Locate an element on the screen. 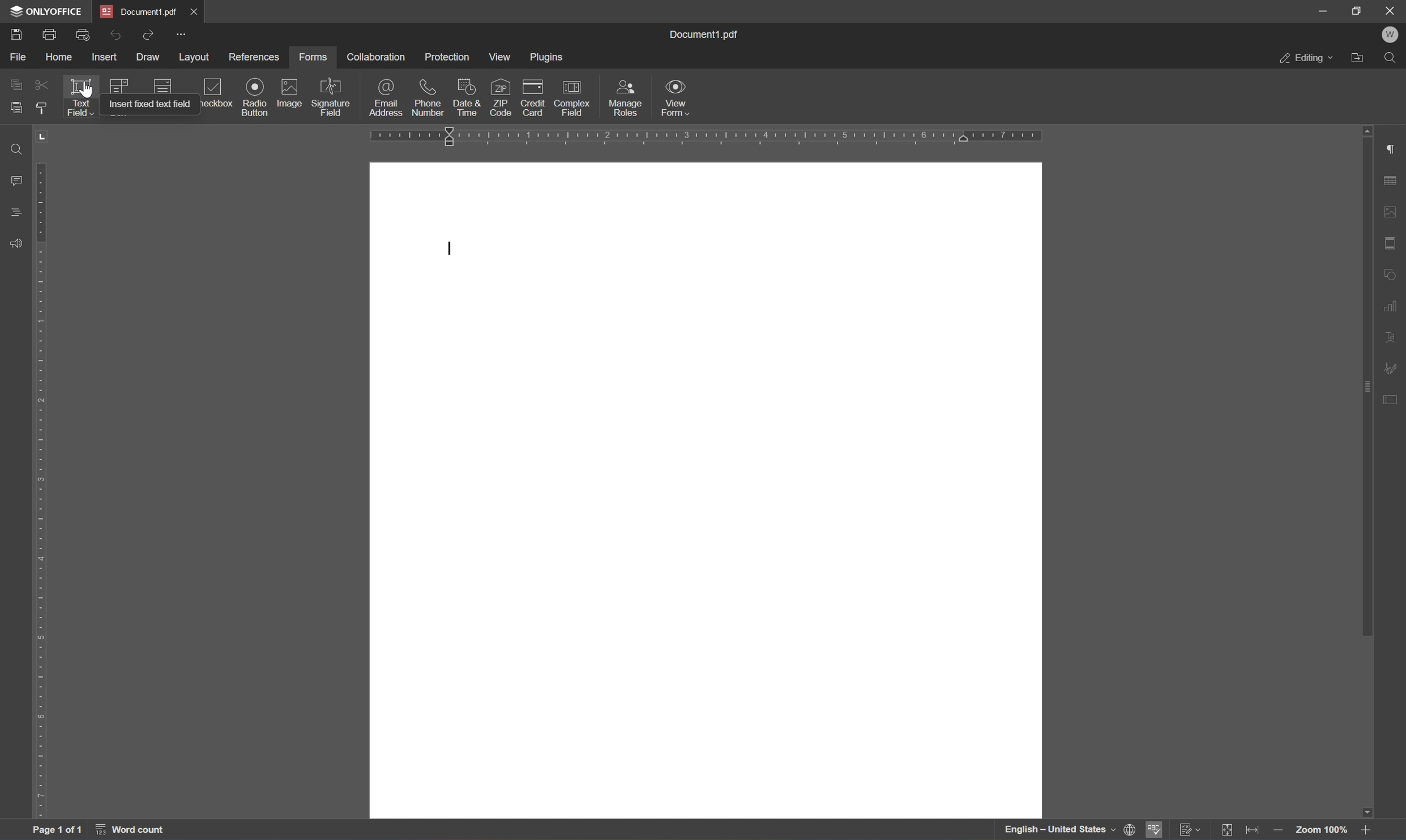 The image size is (1406, 840). track changes is located at coordinates (1190, 830).